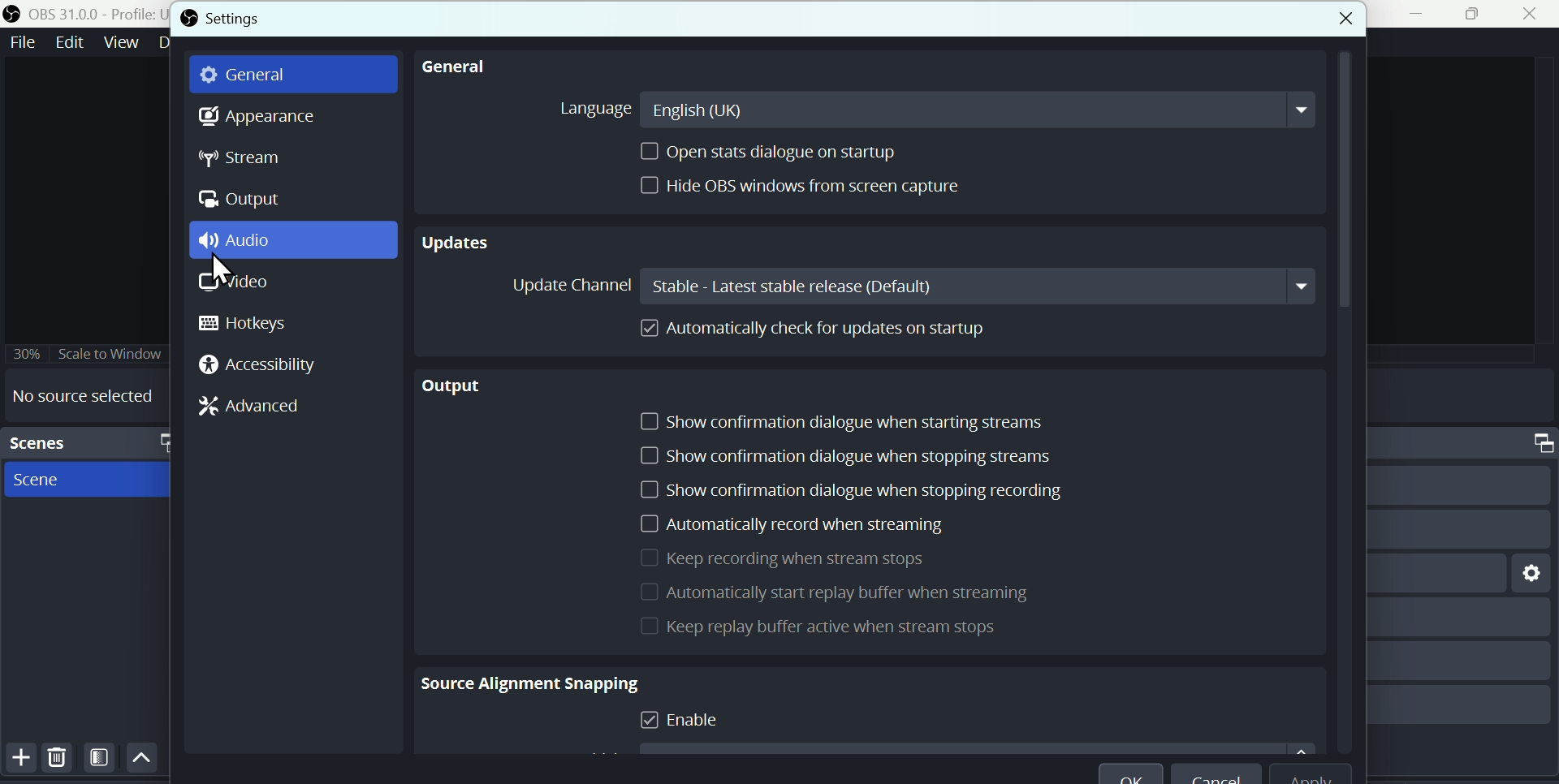 Image resolution: width=1559 pixels, height=784 pixels. What do you see at coordinates (861, 414) in the screenshot?
I see `Show confirmation dialogue when starting streams` at bounding box center [861, 414].